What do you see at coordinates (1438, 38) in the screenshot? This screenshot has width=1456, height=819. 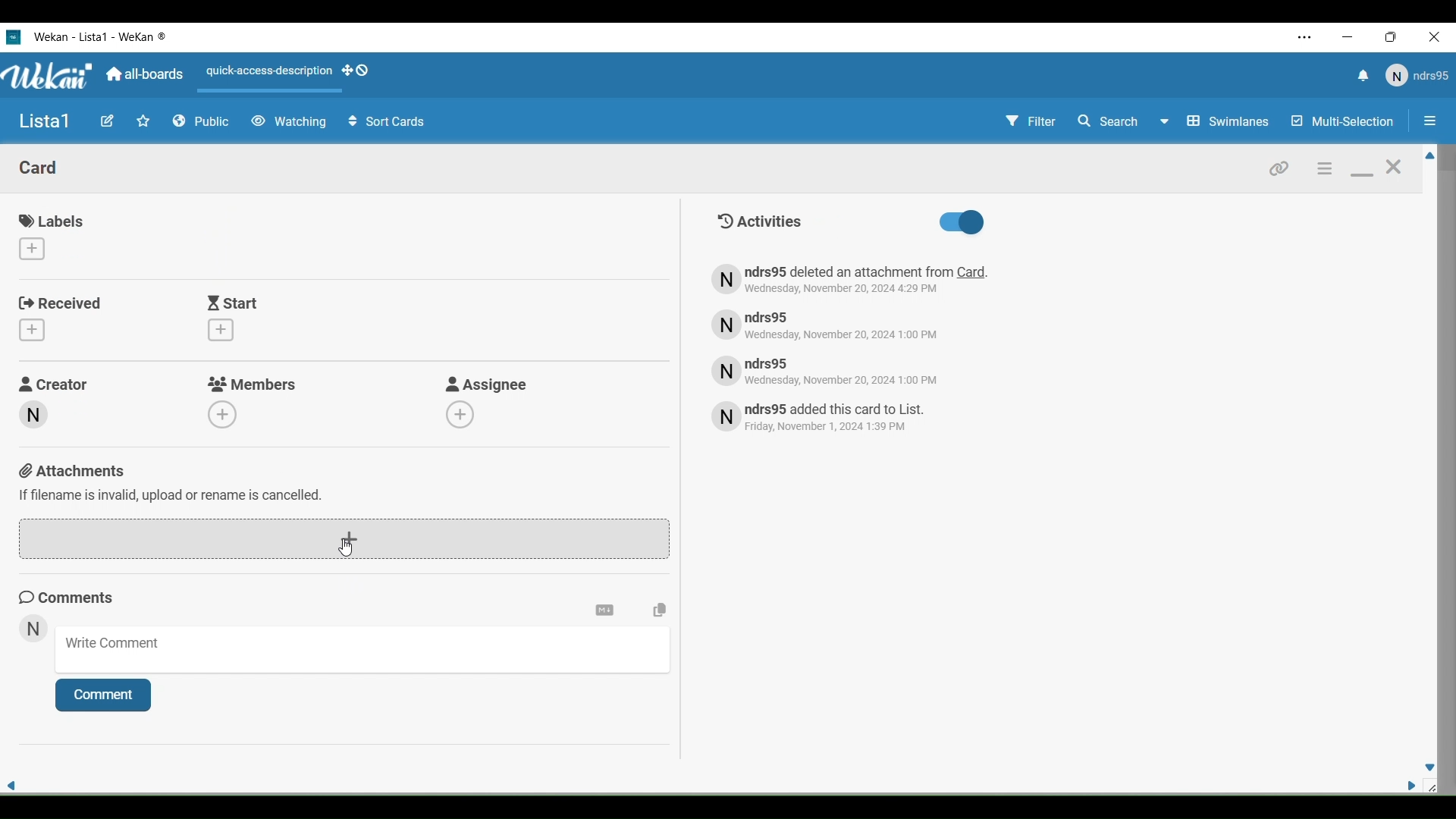 I see `Close` at bounding box center [1438, 38].